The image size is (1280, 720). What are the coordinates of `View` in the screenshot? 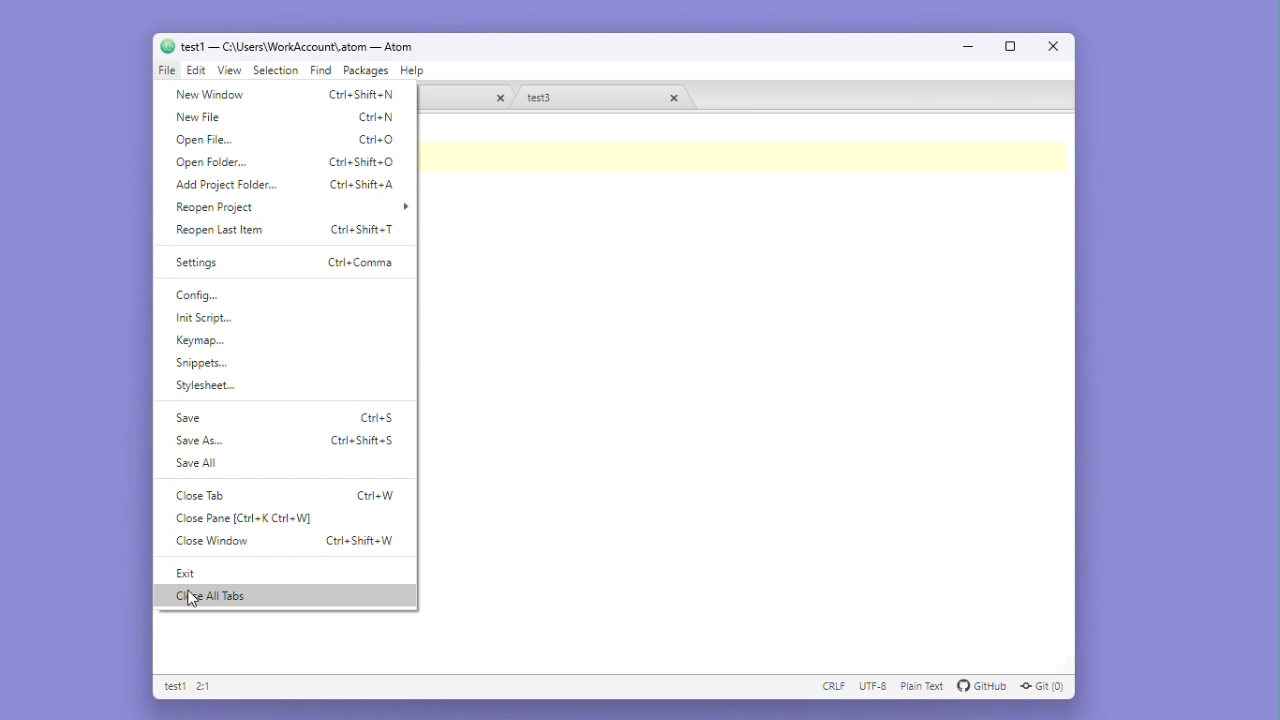 It's located at (232, 72).